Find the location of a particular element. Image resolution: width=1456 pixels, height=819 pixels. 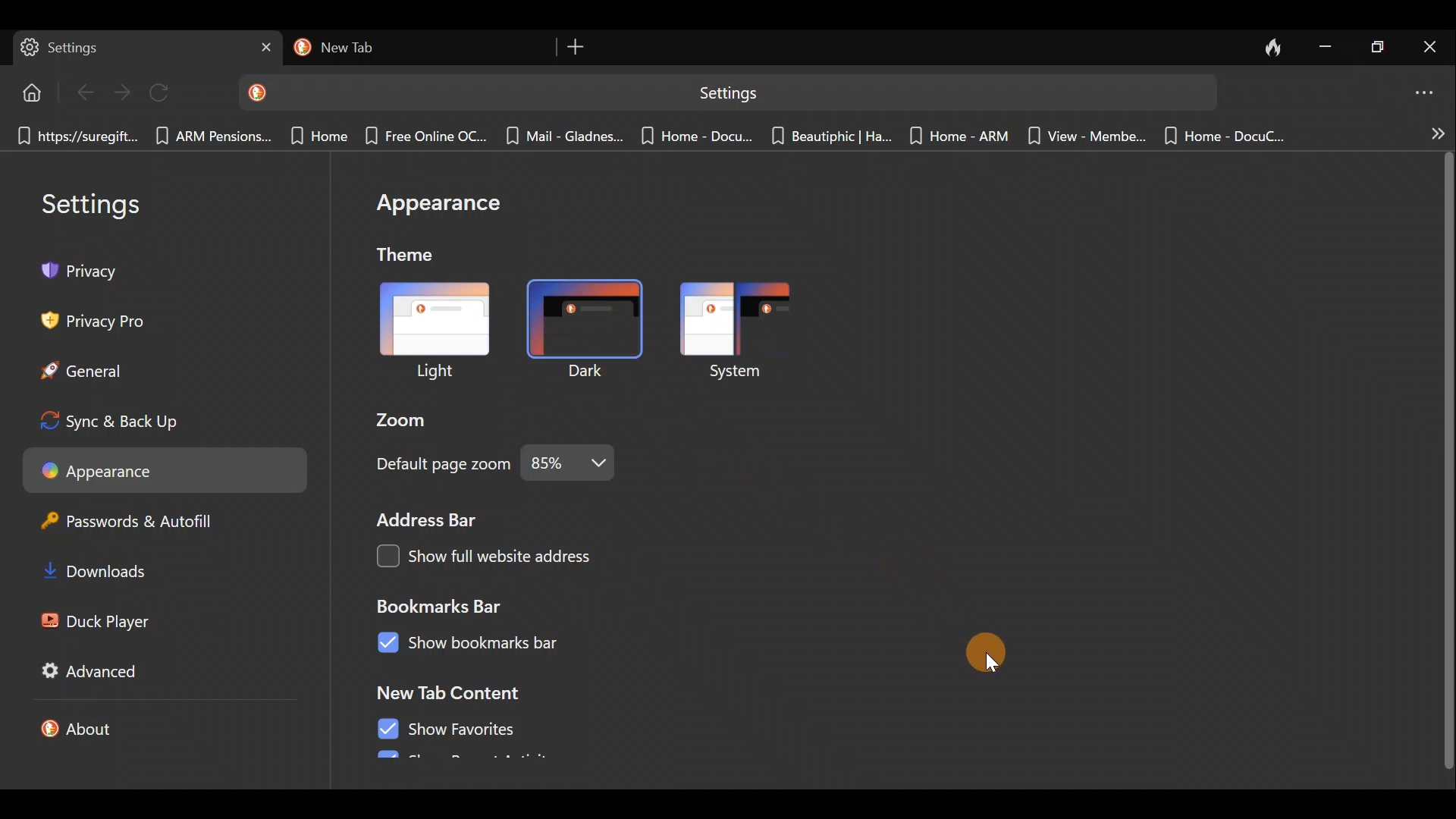

Advanced is located at coordinates (85, 670).